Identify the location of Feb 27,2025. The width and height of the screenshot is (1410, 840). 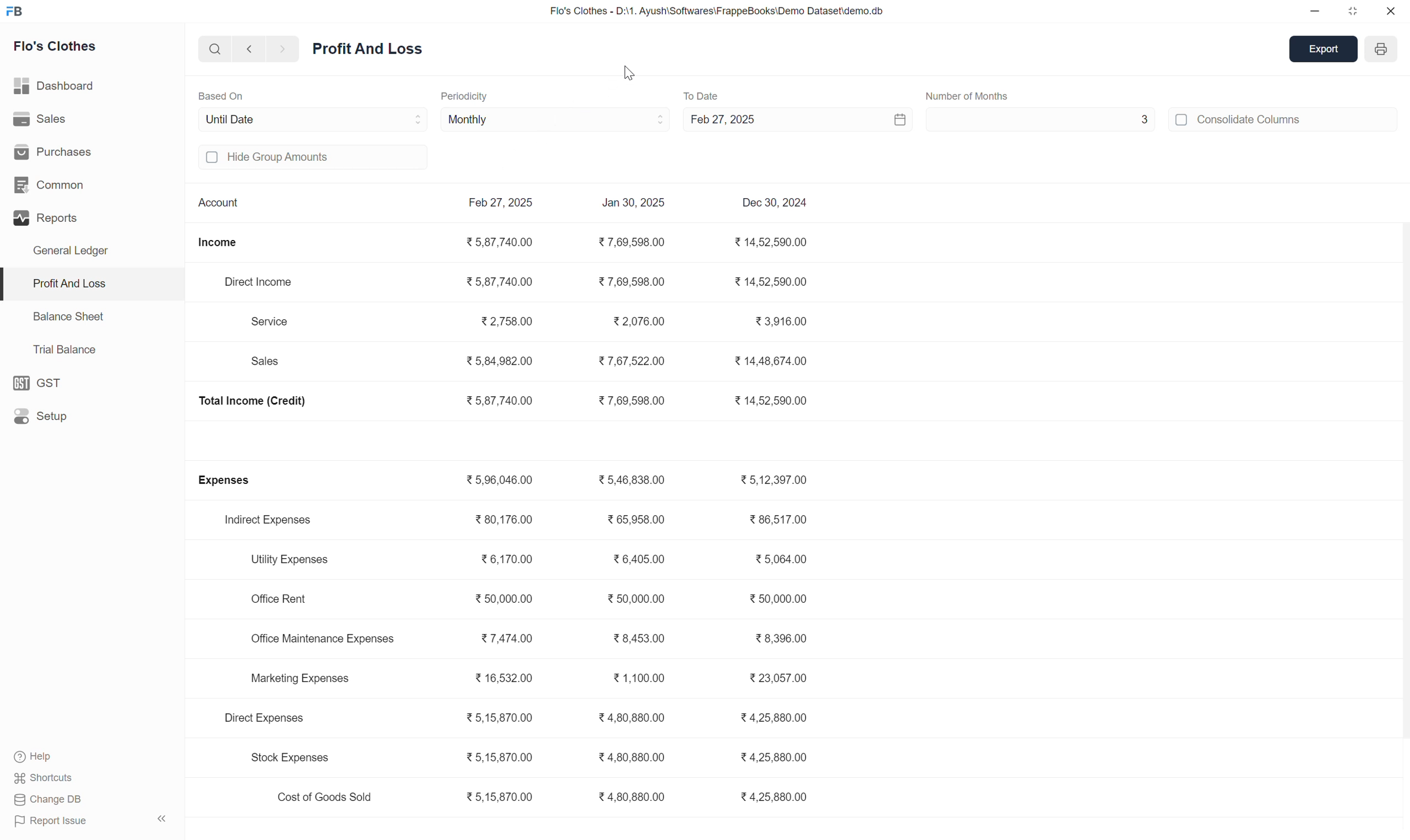
(494, 202).